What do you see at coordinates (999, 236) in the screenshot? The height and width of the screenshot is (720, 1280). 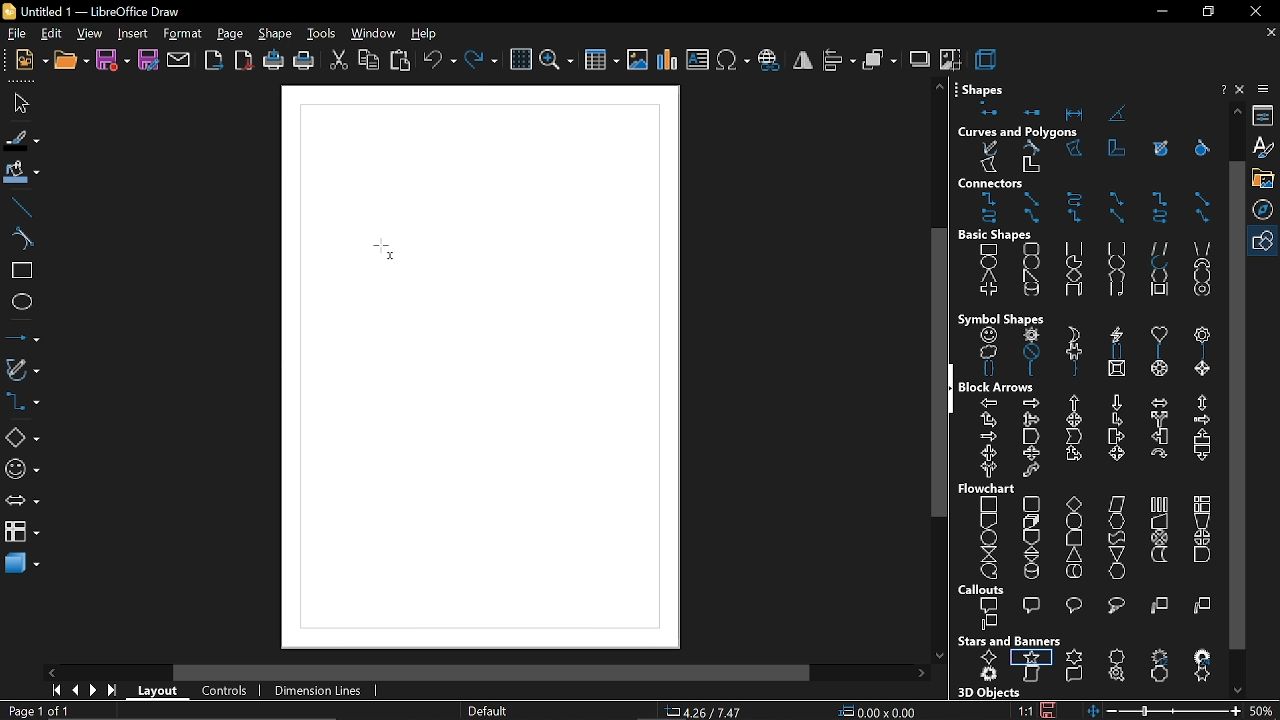 I see `basic shapes` at bounding box center [999, 236].